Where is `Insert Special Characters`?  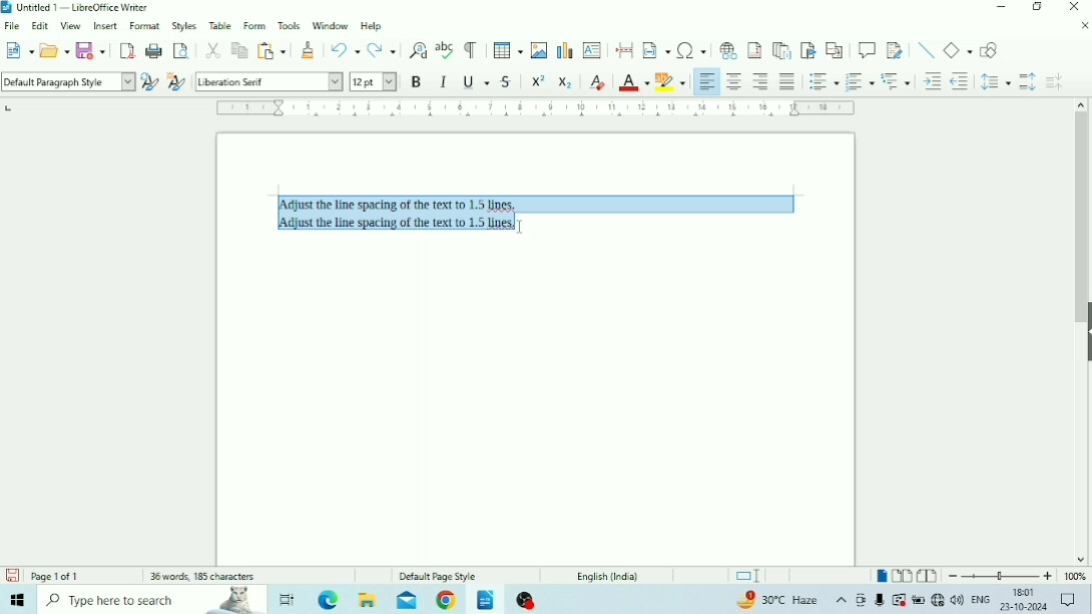
Insert Special Characters is located at coordinates (692, 49).